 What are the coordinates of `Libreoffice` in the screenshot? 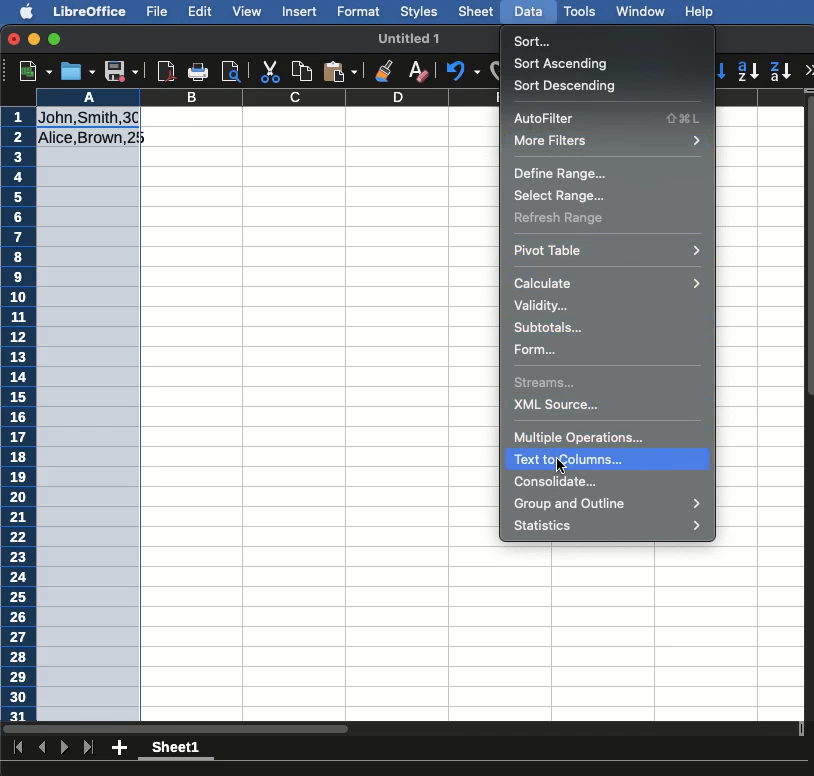 It's located at (89, 12).